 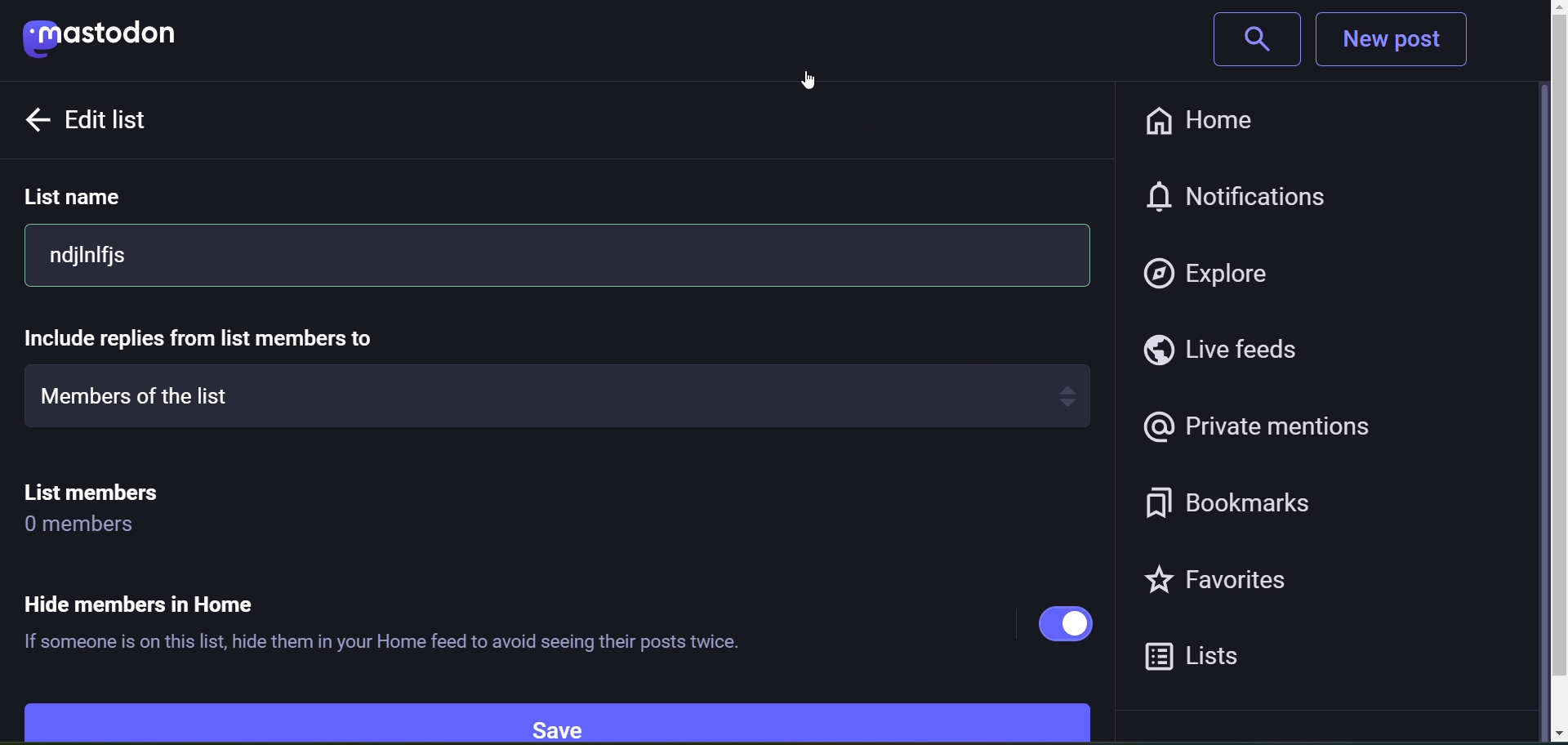 I want to click on search bar, so click(x=1248, y=42).